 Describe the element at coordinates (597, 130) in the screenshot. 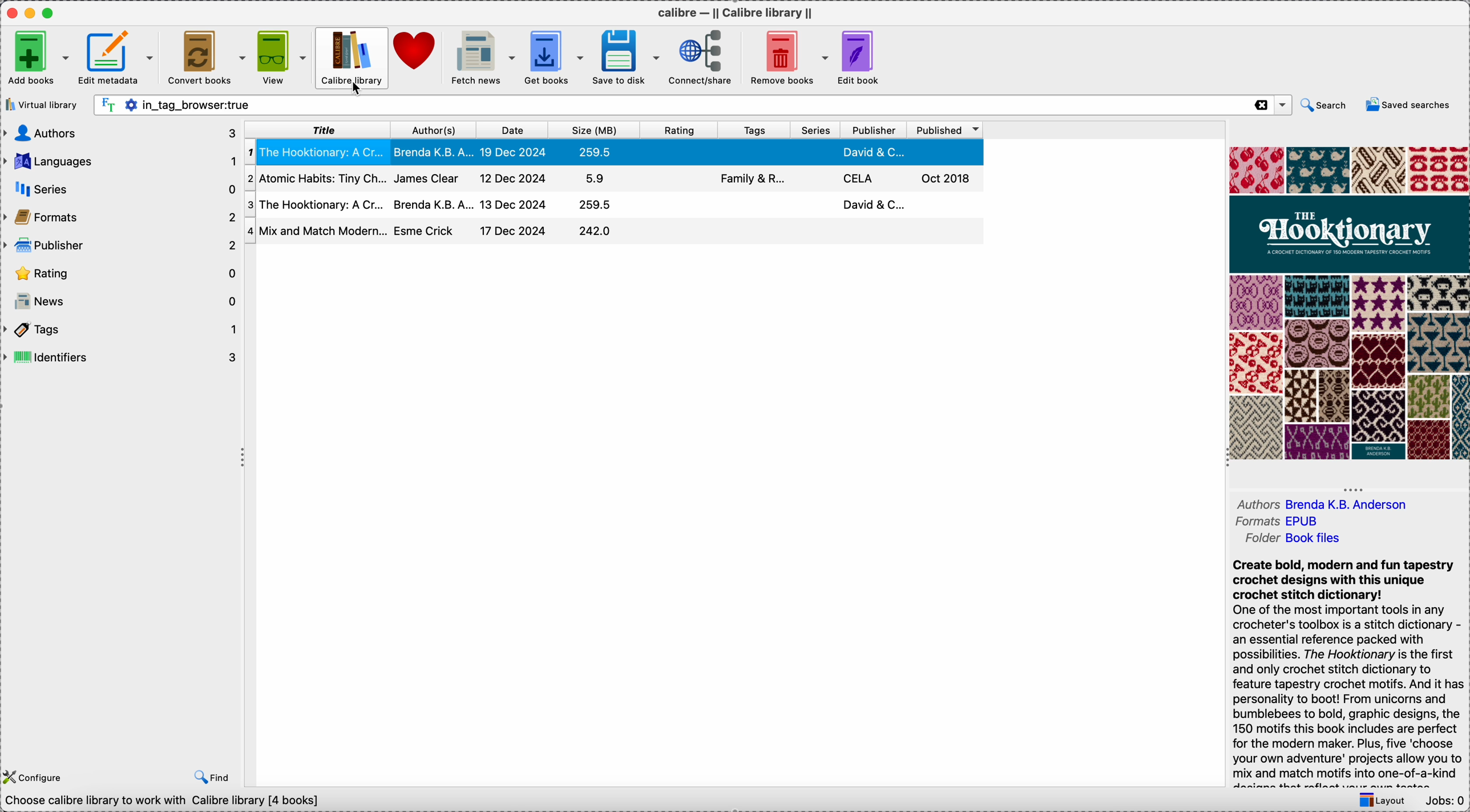

I see `size` at that location.